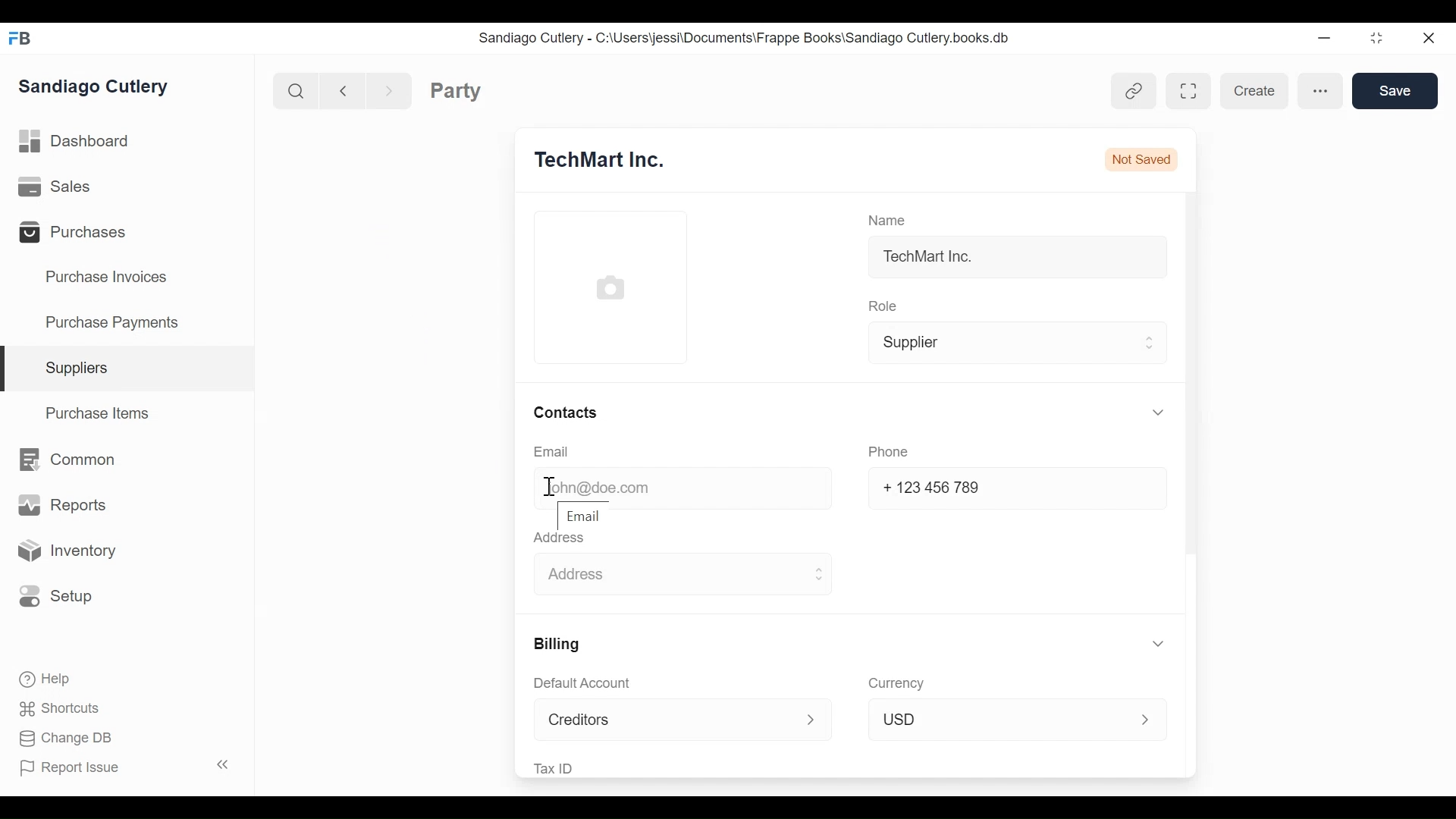  I want to click on Change DB, so click(72, 737).